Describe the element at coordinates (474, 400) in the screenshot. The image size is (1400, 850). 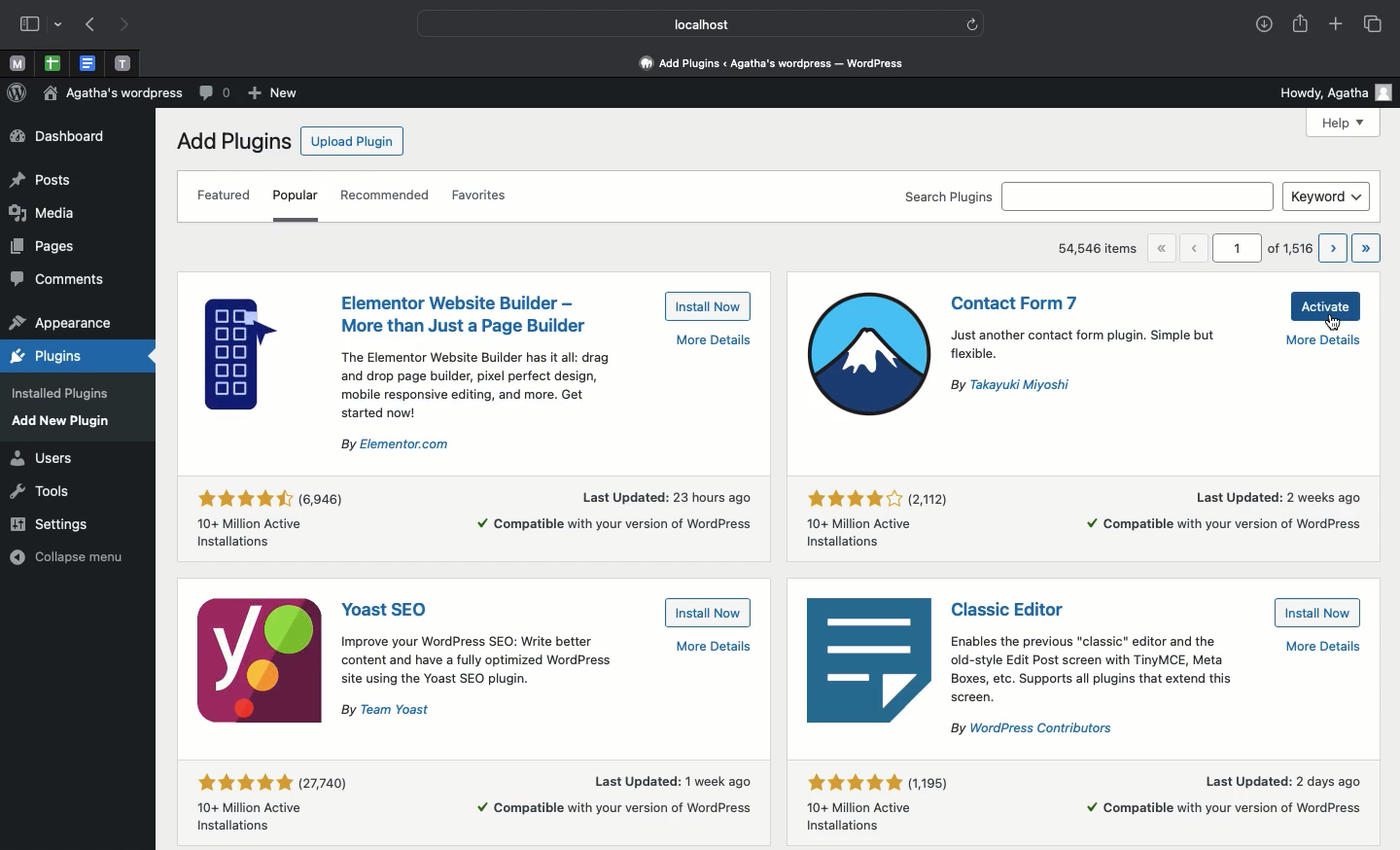
I see `Informational text` at that location.